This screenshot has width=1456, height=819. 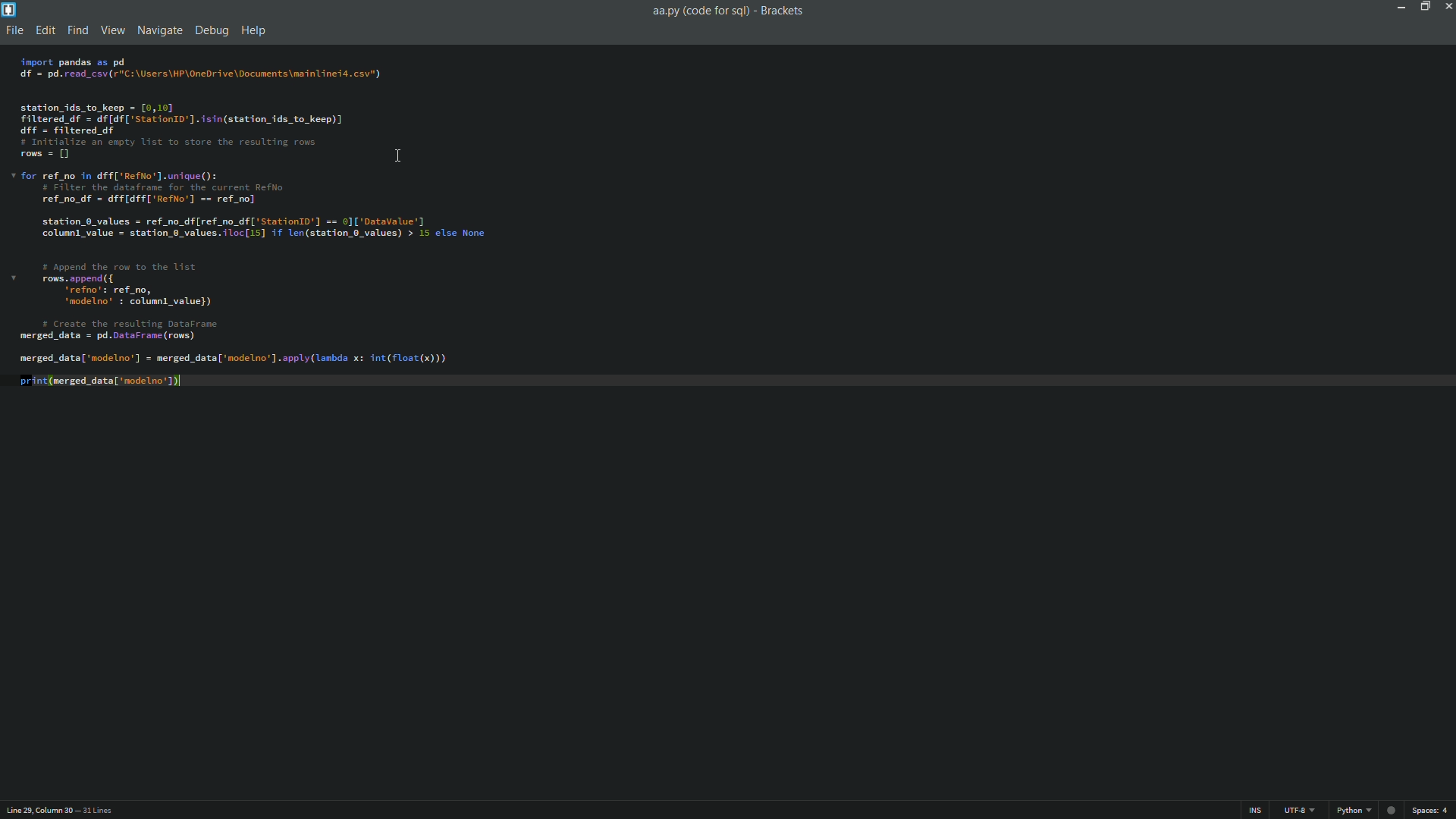 What do you see at coordinates (1432, 811) in the screenshot?
I see `space` at bounding box center [1432, 811].